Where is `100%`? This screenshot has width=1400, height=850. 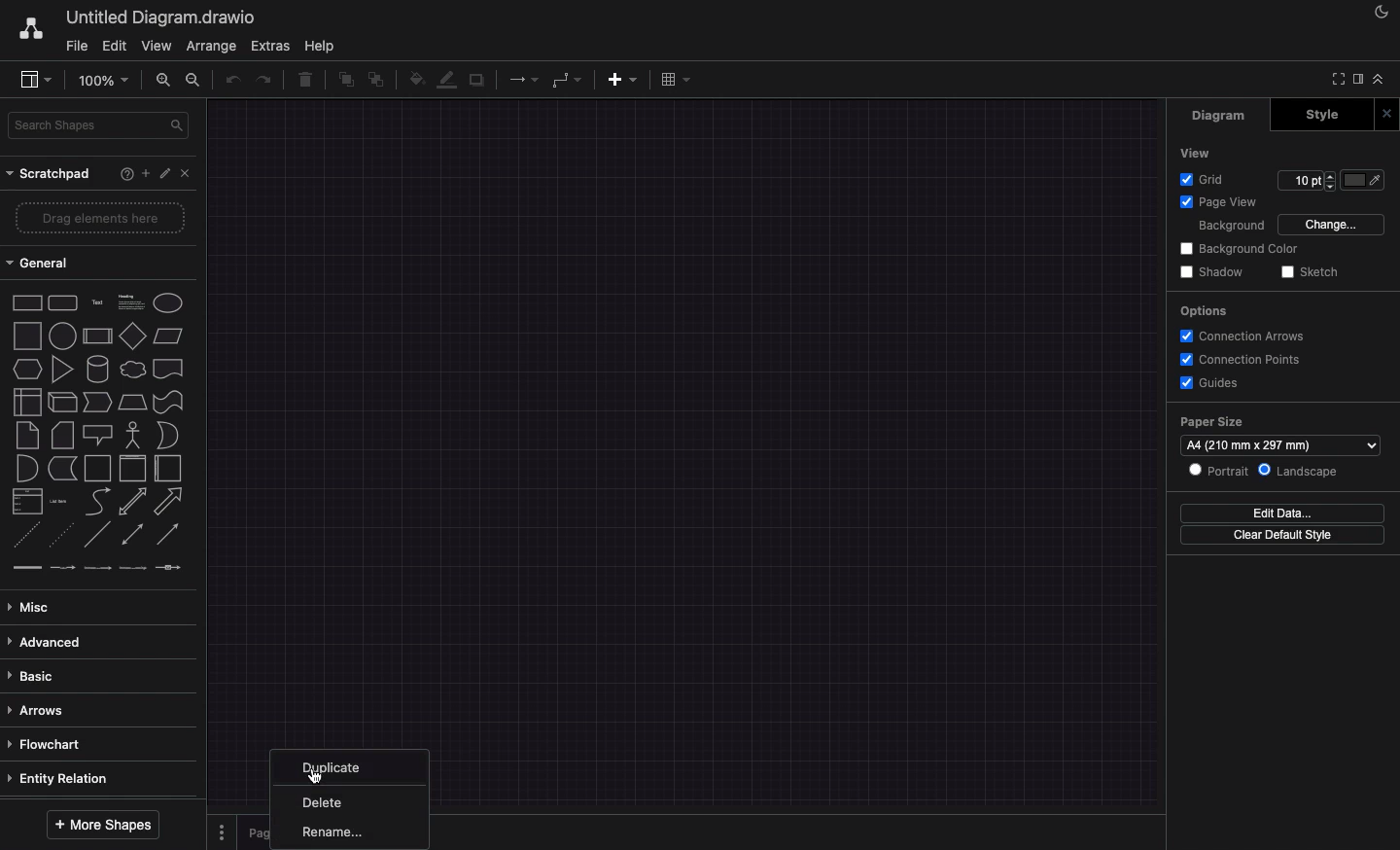
100% is located at coordinates (104, 82).